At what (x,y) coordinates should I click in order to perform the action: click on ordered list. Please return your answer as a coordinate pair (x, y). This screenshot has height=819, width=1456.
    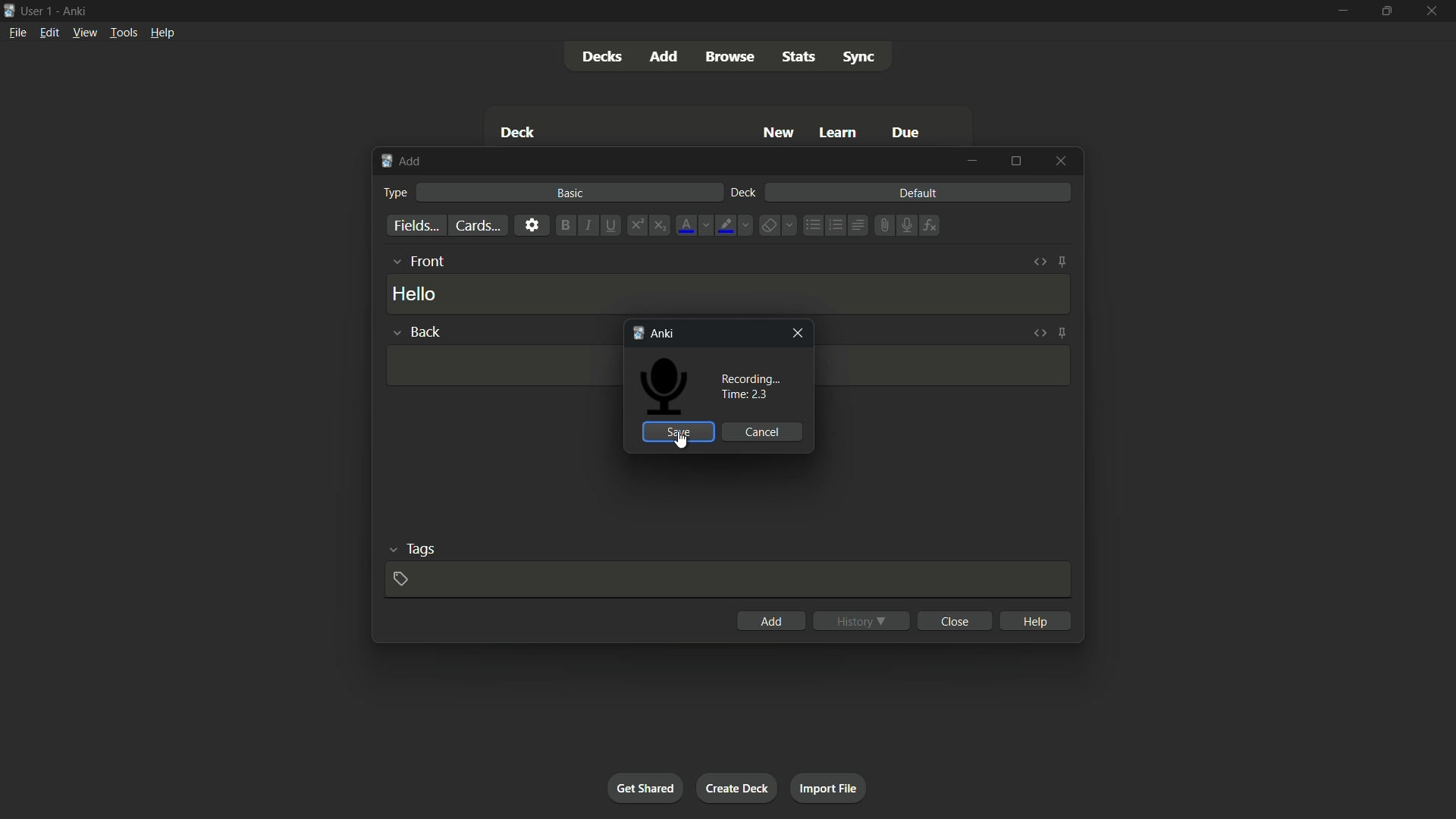
    Looking at the image, I should click on (836, 224).